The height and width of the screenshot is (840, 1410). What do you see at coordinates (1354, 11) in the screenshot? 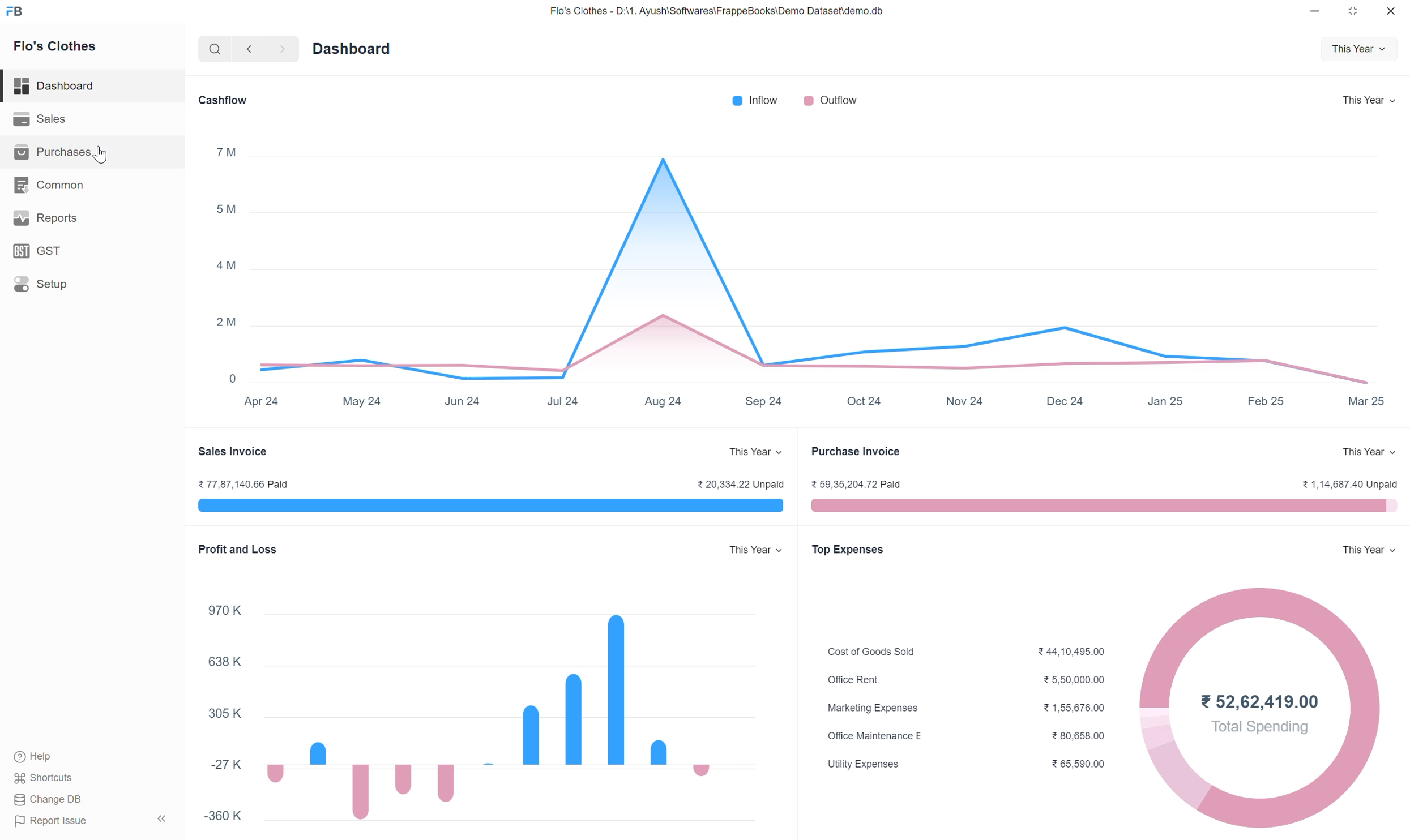
I see `restore down` at bounding box center [1354, 11].